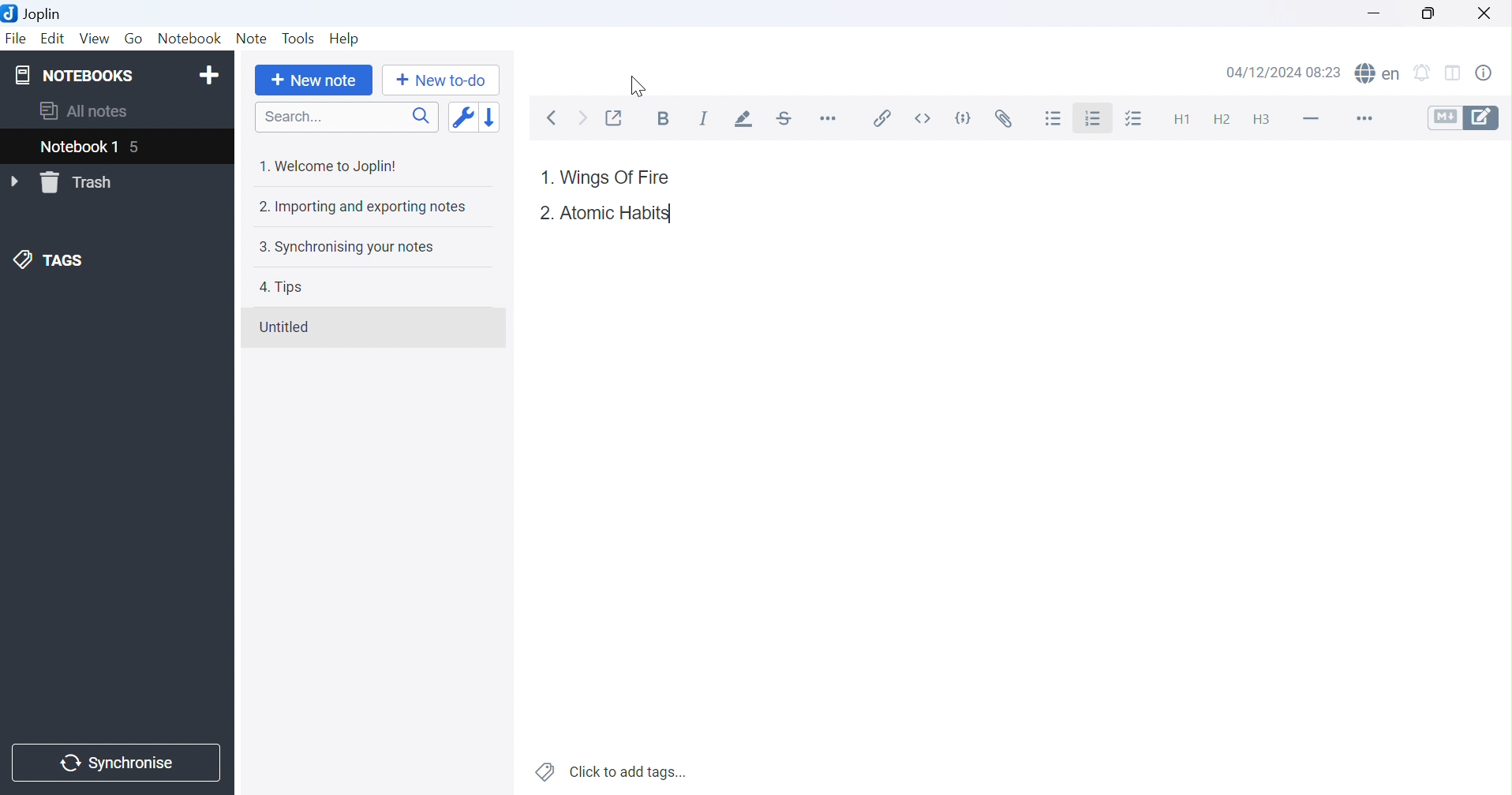 The image size is (1512, 795). Describe the element at coordinates (1491, 72) in the screenshot. I see `Note properties` at that location.